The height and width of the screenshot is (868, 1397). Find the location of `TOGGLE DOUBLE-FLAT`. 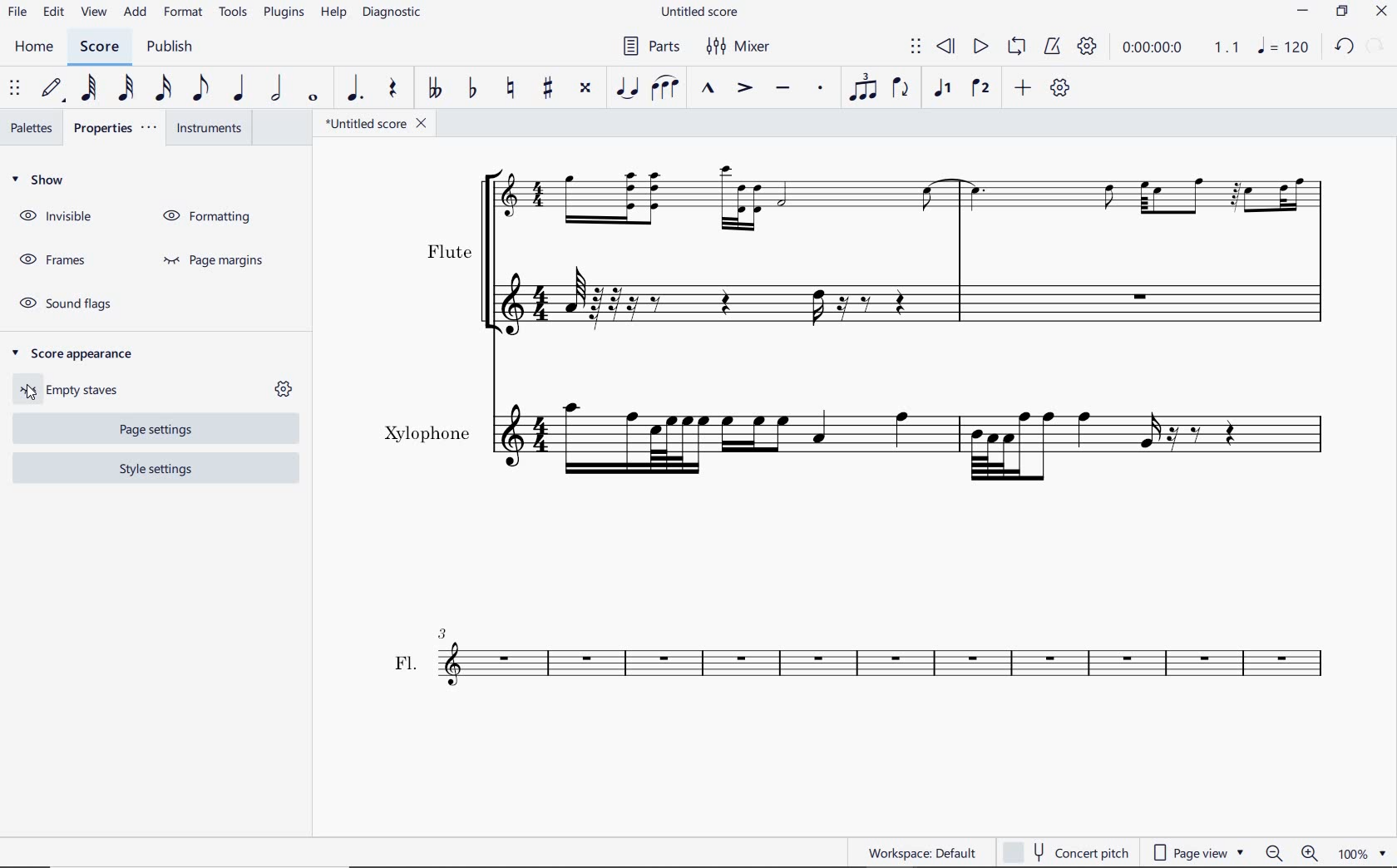

TOGGLE DOUBLE-FLAT is located at coordinates (437, 88).